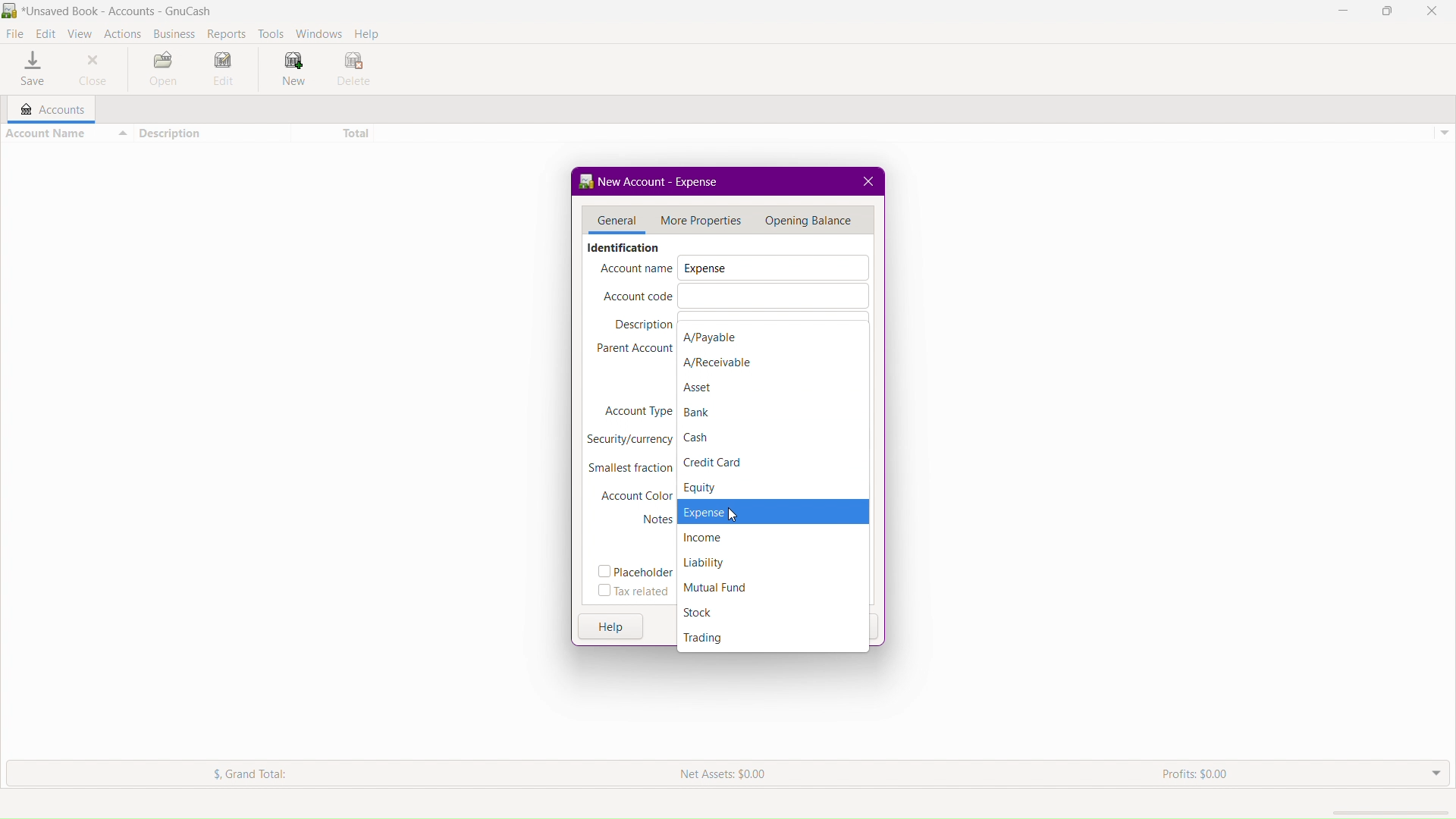  I want to click on Expense, so click(752, 512).